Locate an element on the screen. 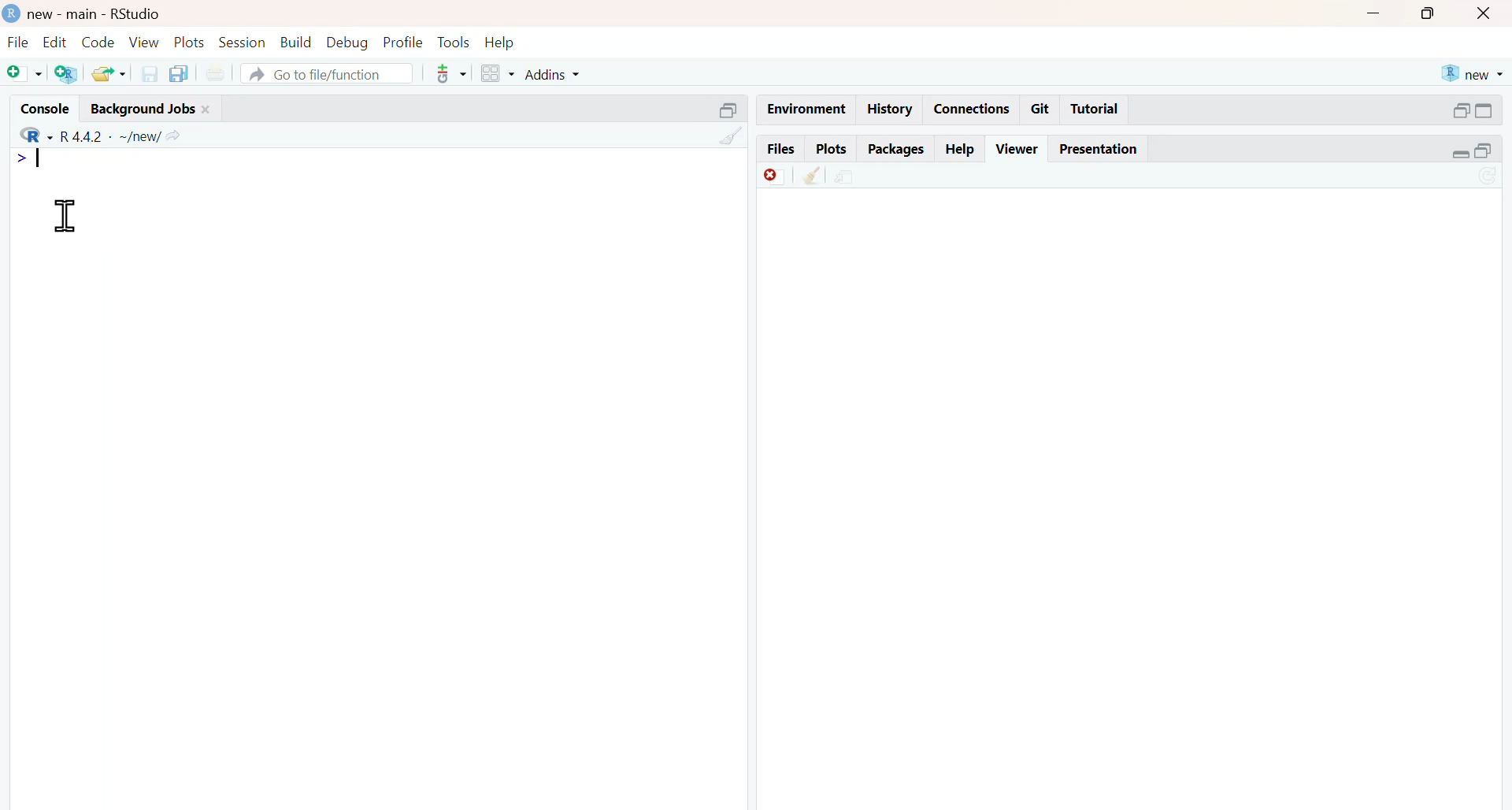 The image size is (1512, 810). close is located at coordinates (206, 110).